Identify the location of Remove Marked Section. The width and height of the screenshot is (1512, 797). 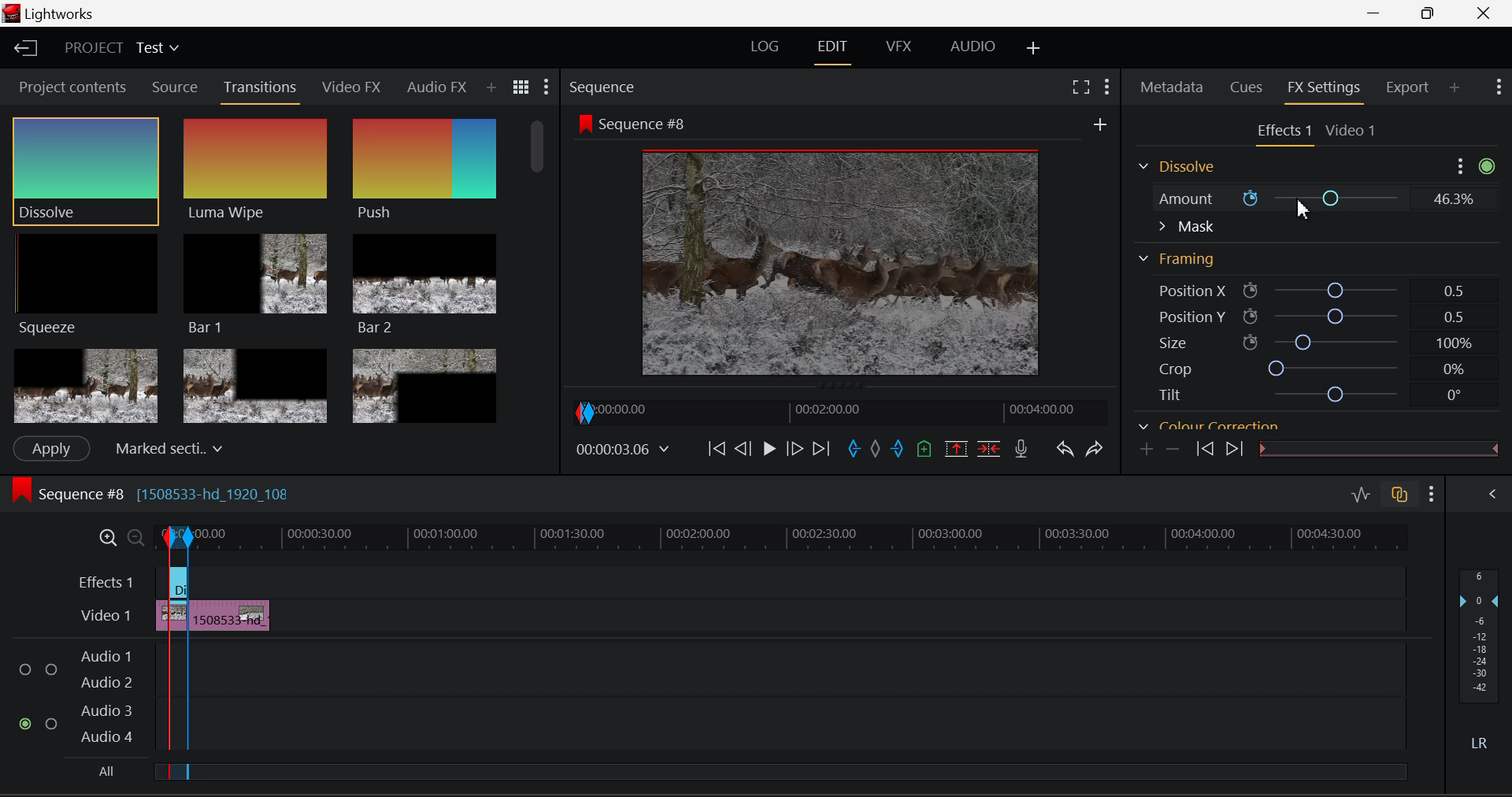
(958, 448).